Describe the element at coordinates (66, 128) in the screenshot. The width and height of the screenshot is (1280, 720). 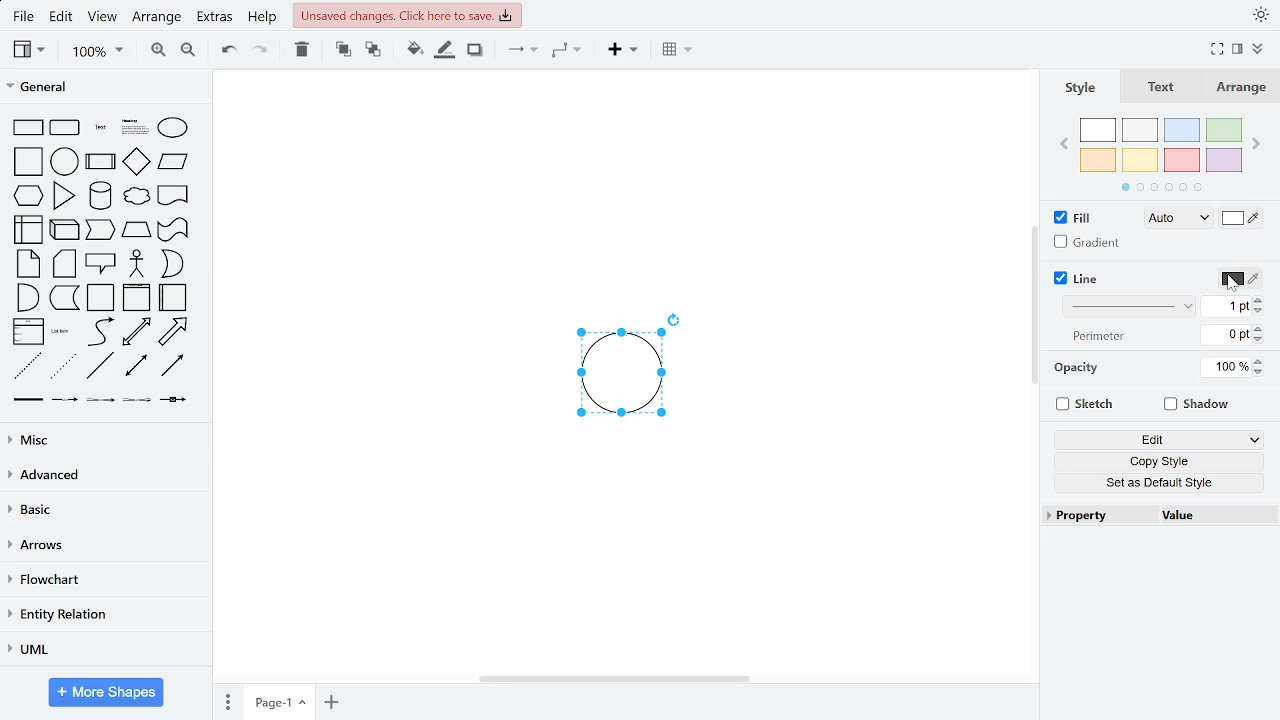
I see `rounded rectangle` at that location.